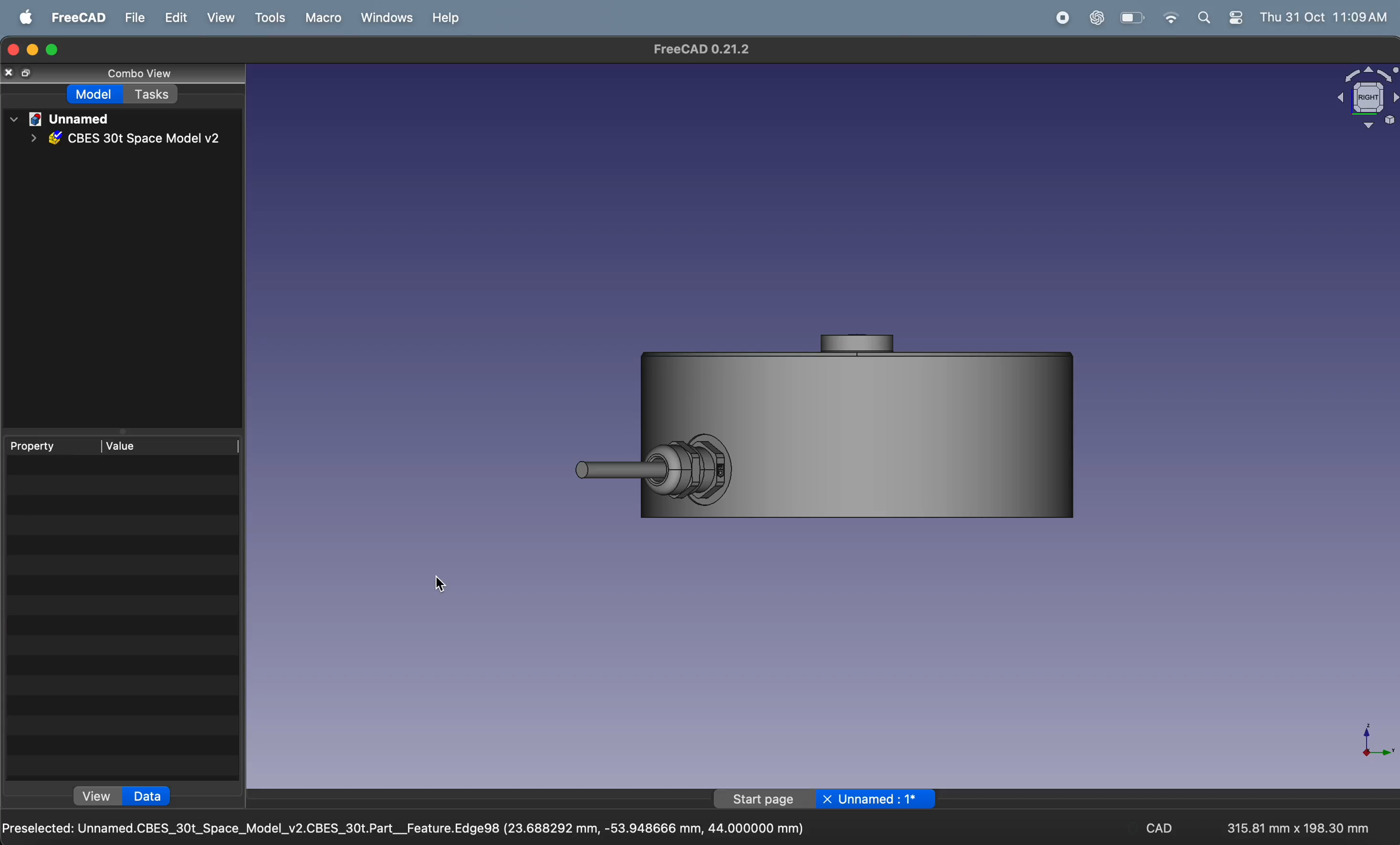 This screenshot has height=845, width=1400. Describe the element at coordinates (766, 800) in the screenshot. I see `start page` at that location.